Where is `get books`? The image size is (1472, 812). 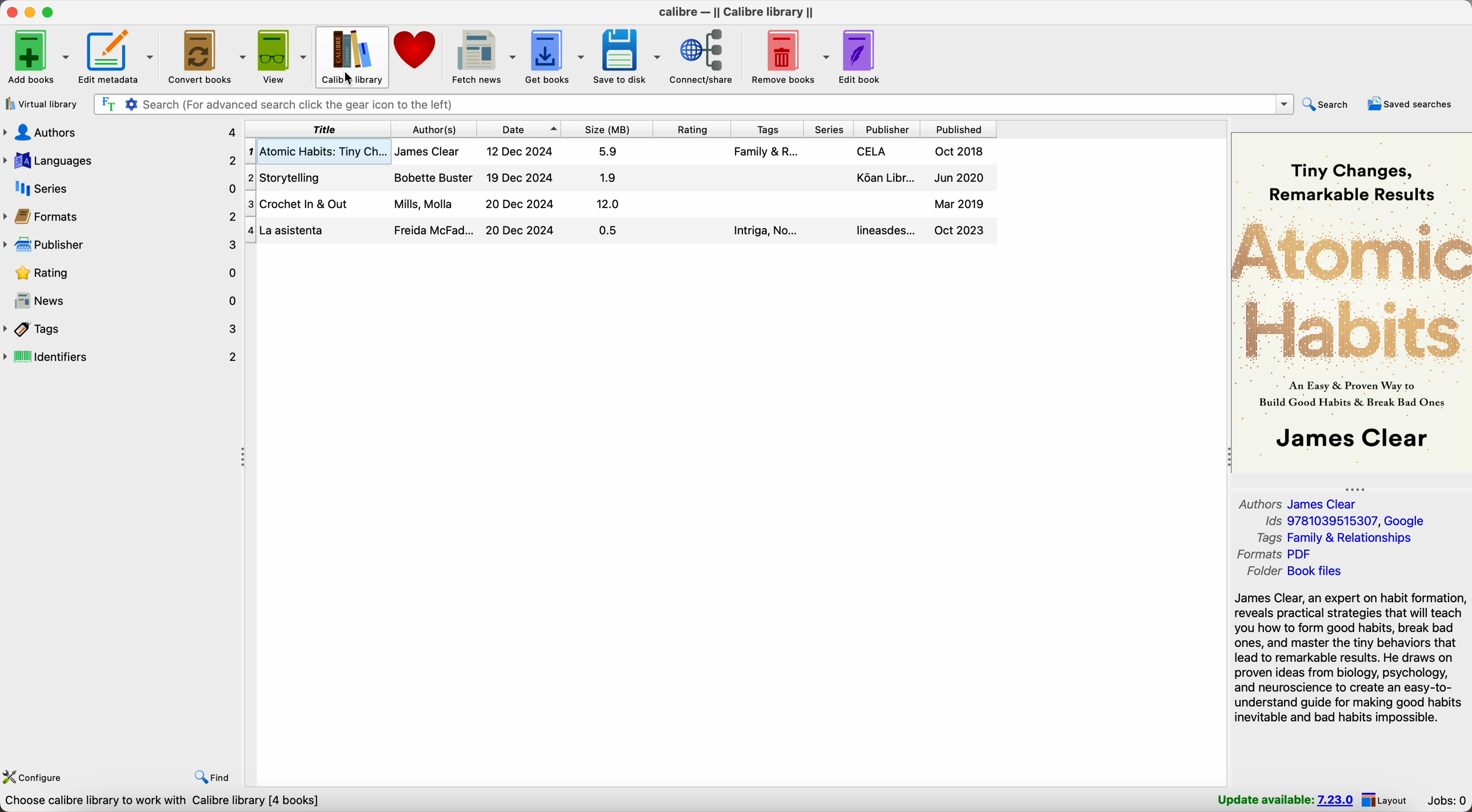
get books is located at coordinates (555, 55).